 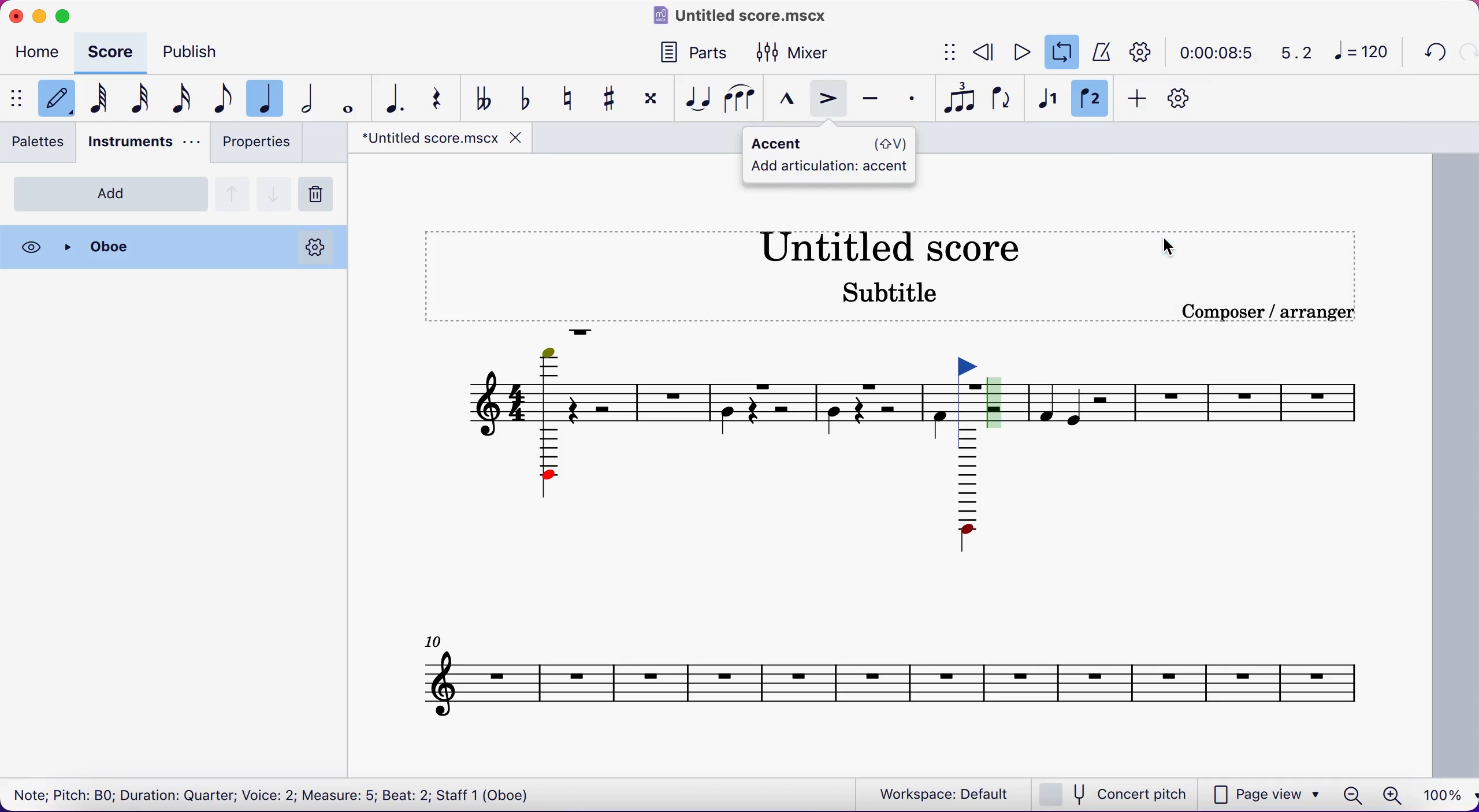 I want to click on mixer, so click(x=805, y=51).